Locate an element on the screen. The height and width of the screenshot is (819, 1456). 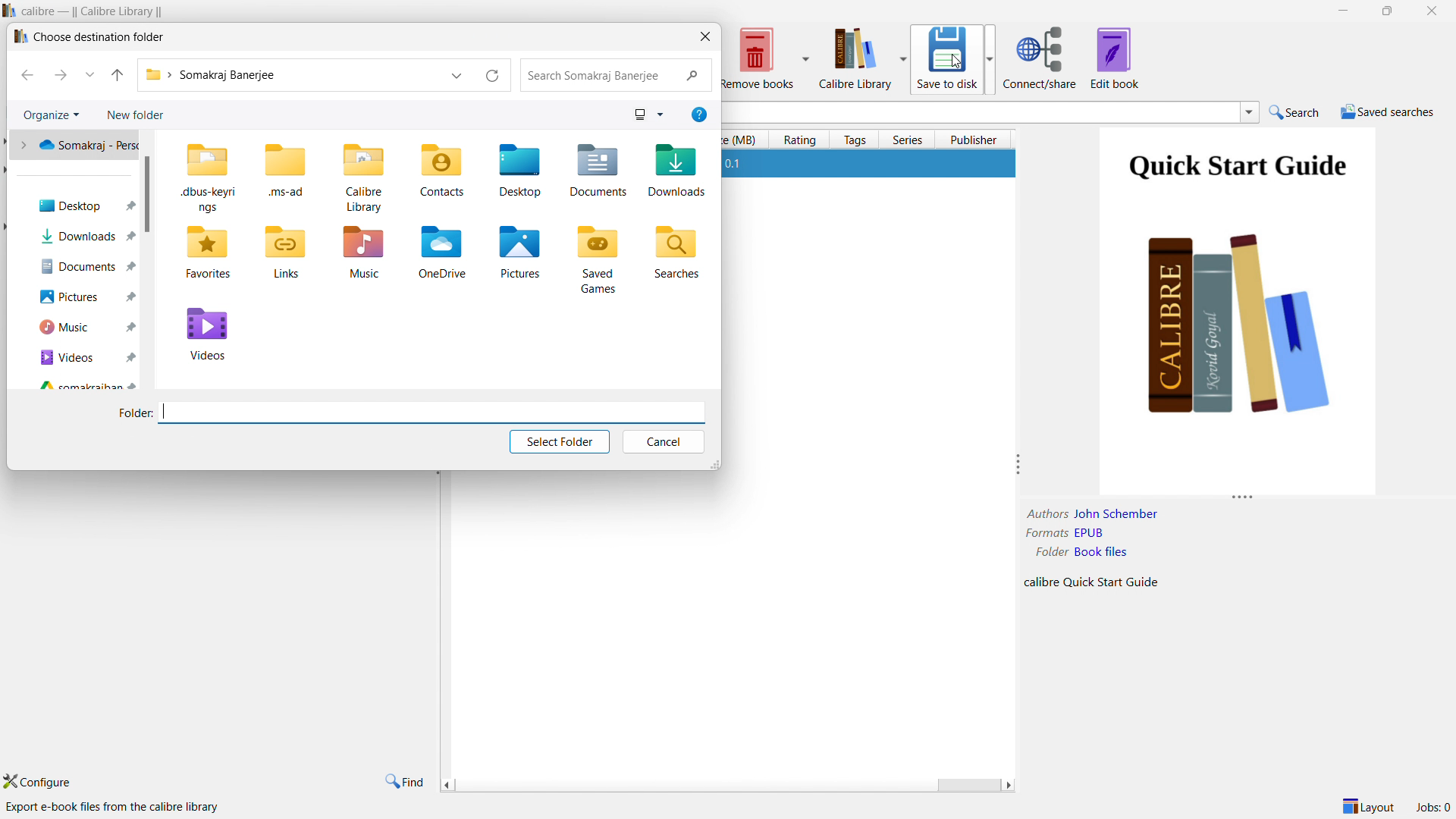
Desktop   is located at coordinates (84, 203).